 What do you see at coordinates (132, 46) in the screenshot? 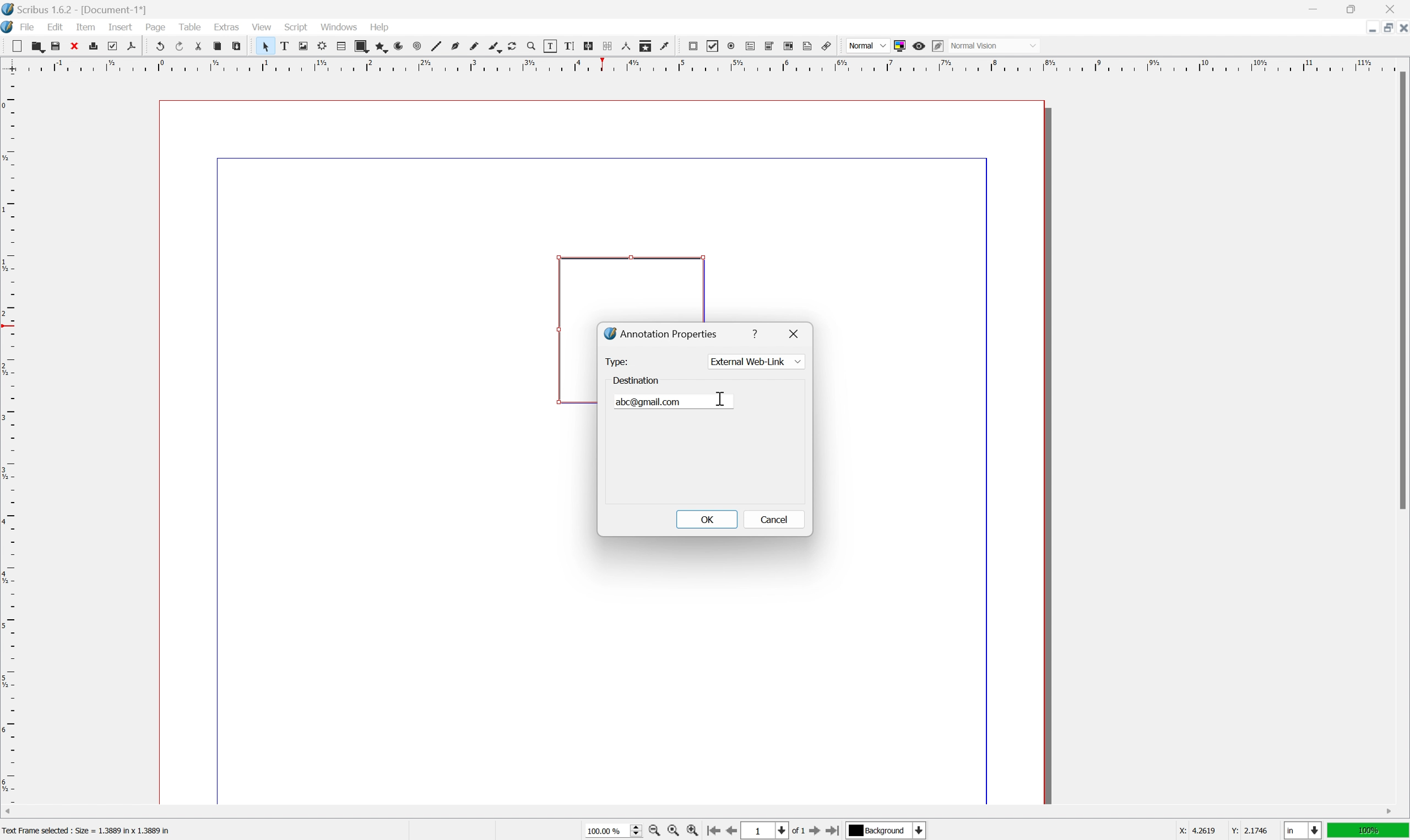
I see `save as pdf` at bounding box center [132, 46].